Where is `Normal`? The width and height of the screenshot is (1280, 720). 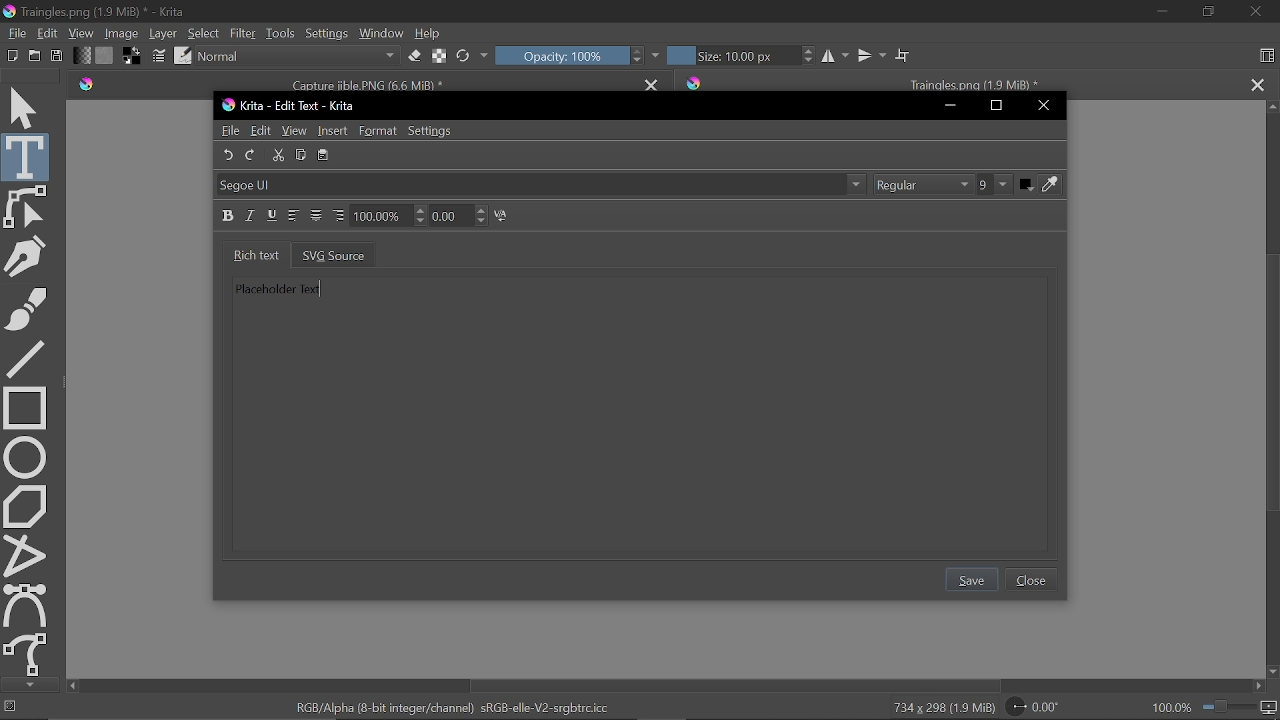
Normal is located at coordinates (300, 57).